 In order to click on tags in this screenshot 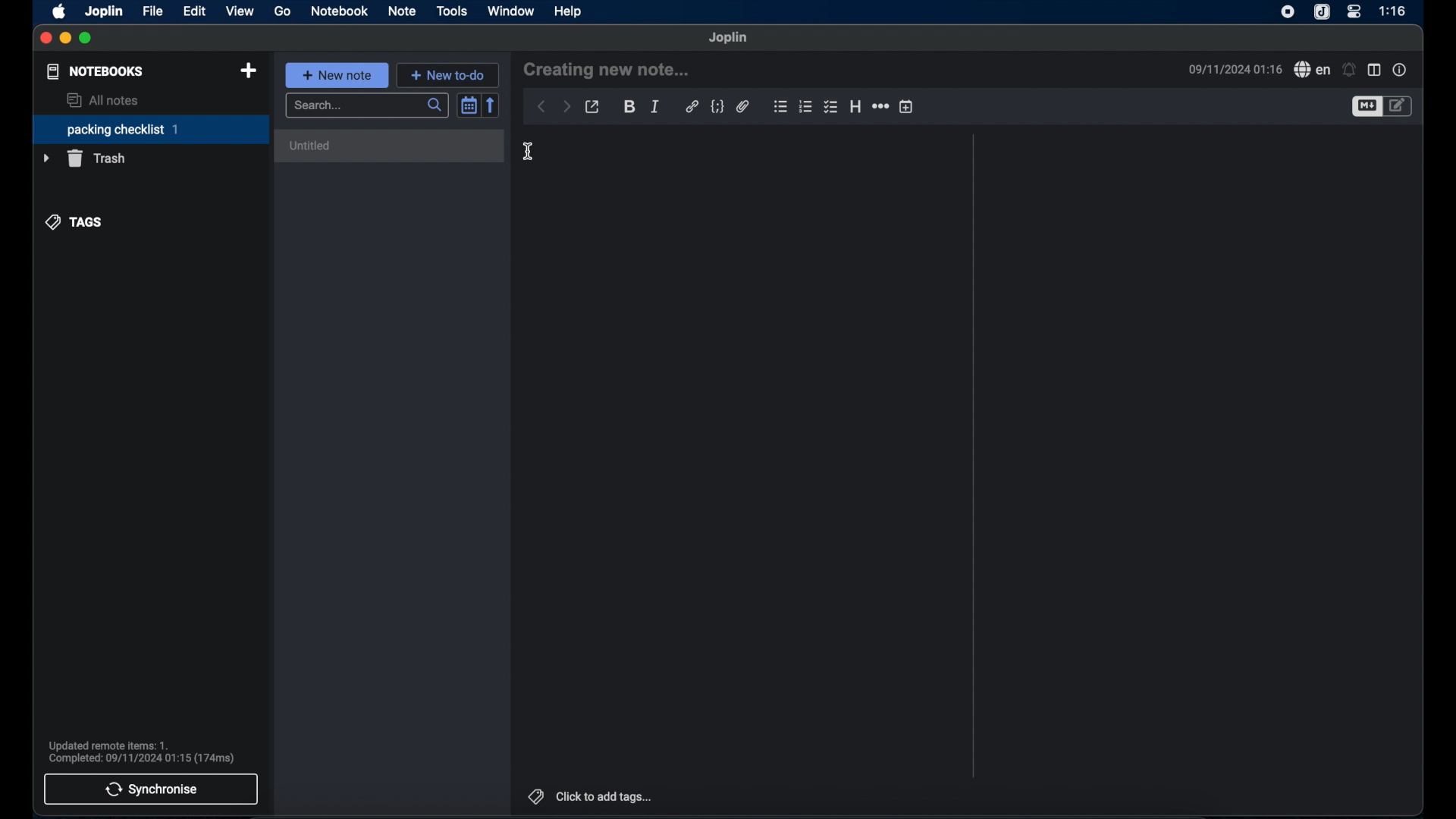, I will do `click(74, 223)`.